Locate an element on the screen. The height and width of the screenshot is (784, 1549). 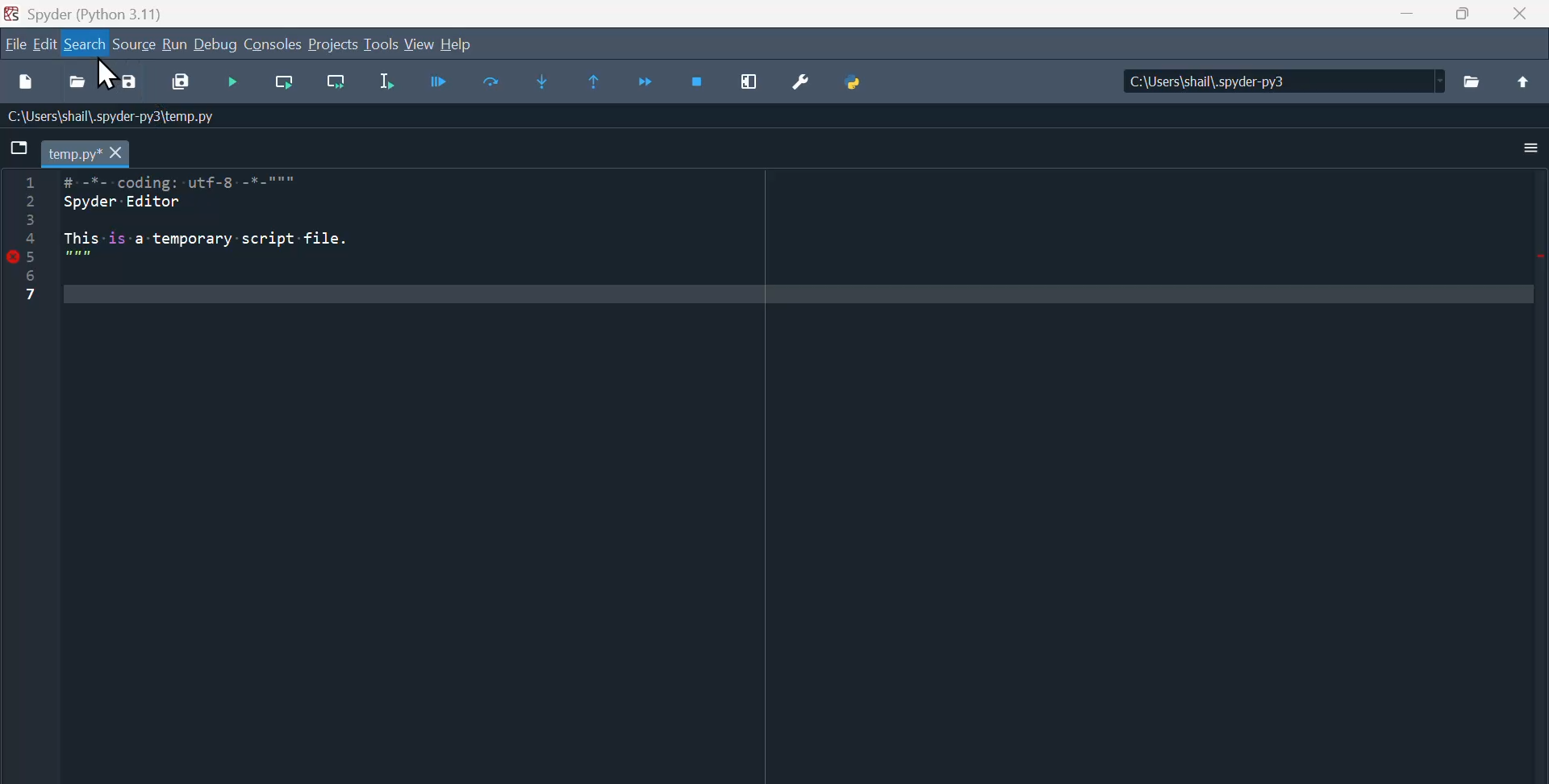
Continue execution until next function is located at coordinates (649, 81).